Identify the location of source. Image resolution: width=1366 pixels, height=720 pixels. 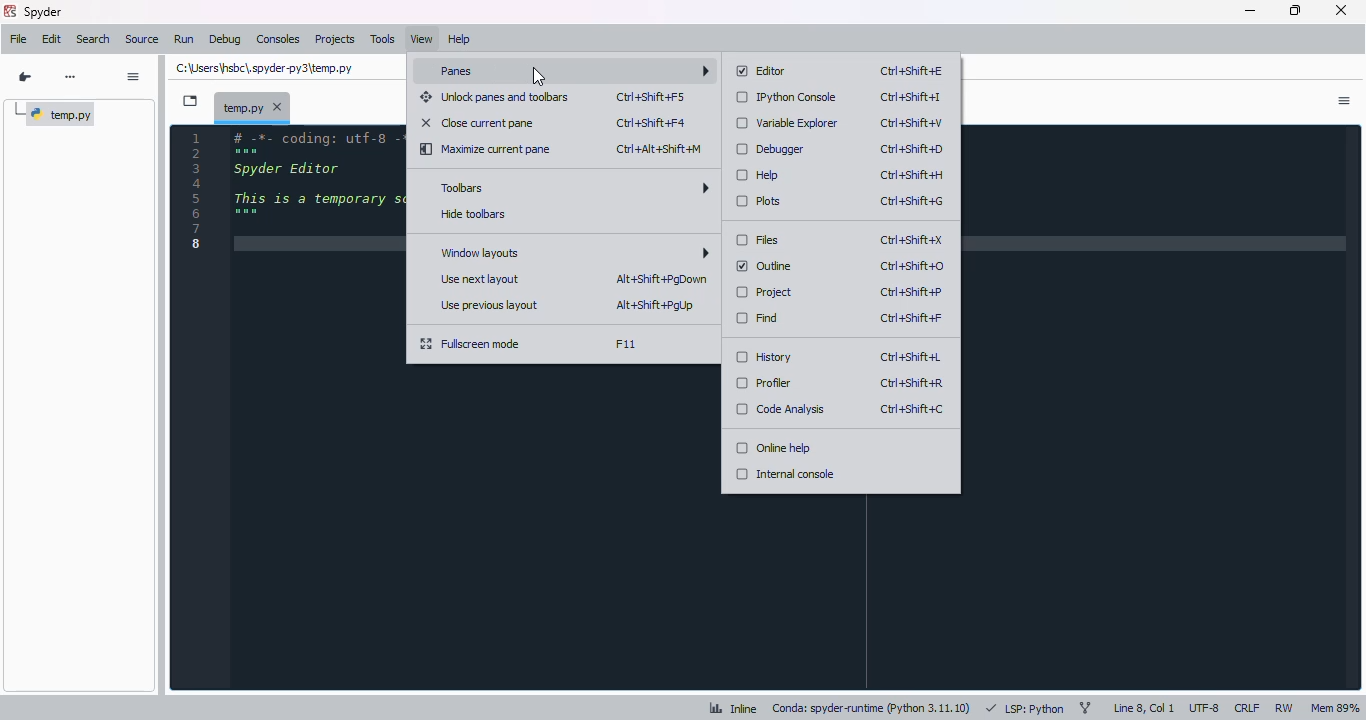
(142, 40).